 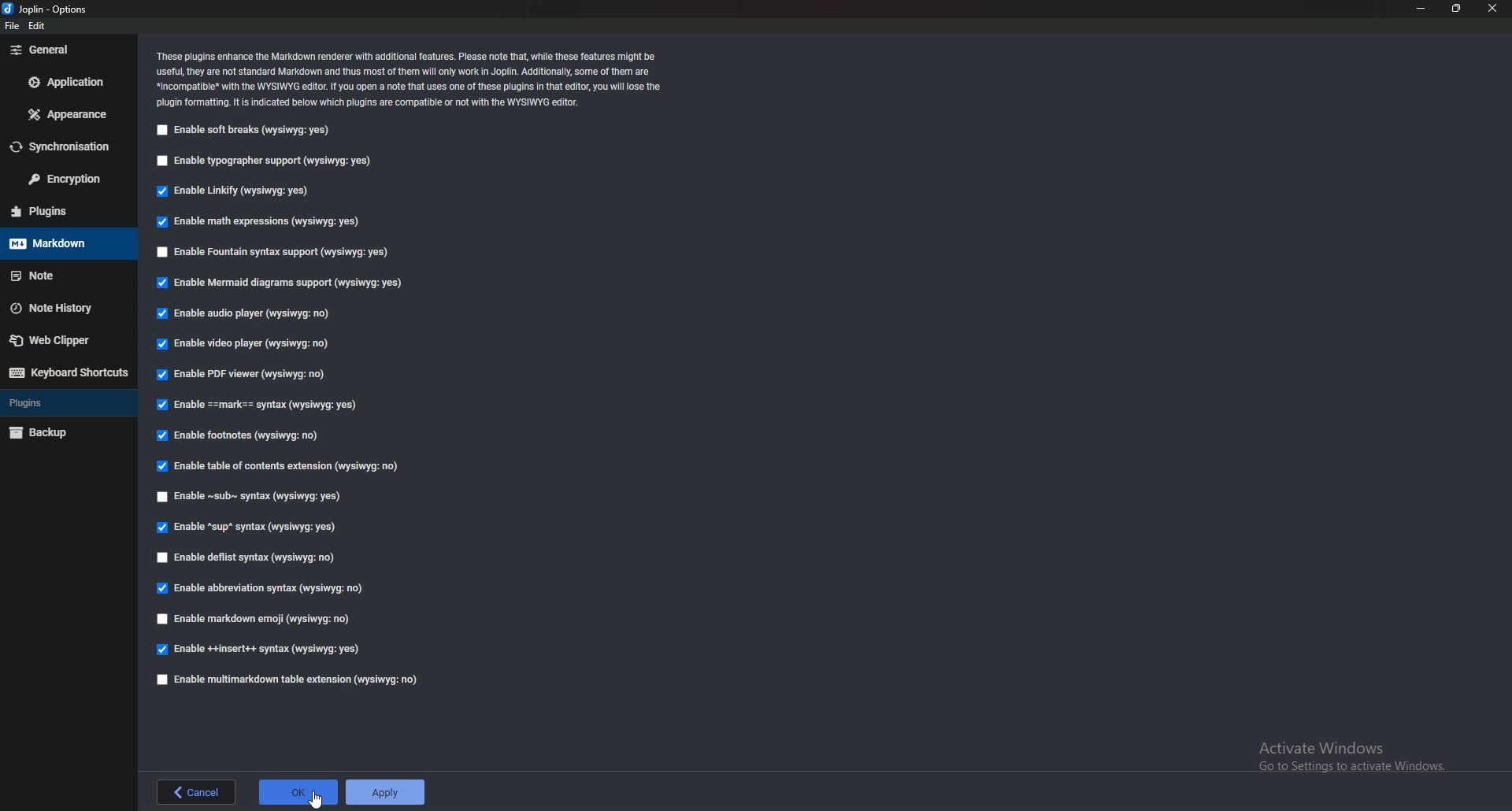 What do you see at coordinates (261, 403) in the screenshot?
I see `Enable ==mark== syntax (wvsiwva: ves)` at bounding box center [261, 403].